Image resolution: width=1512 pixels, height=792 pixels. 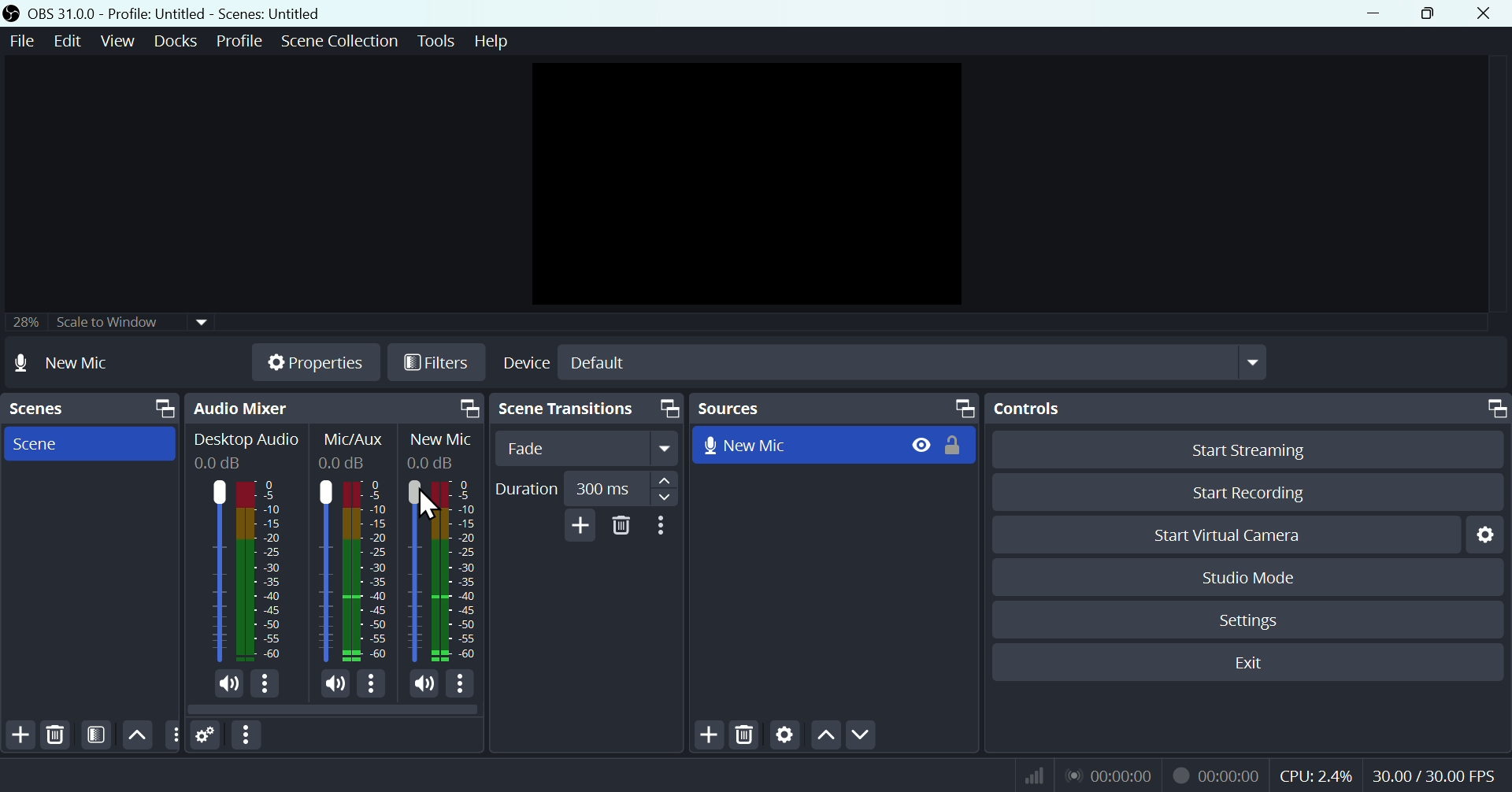 I want to click on Delete, so click(x=622, y=526).